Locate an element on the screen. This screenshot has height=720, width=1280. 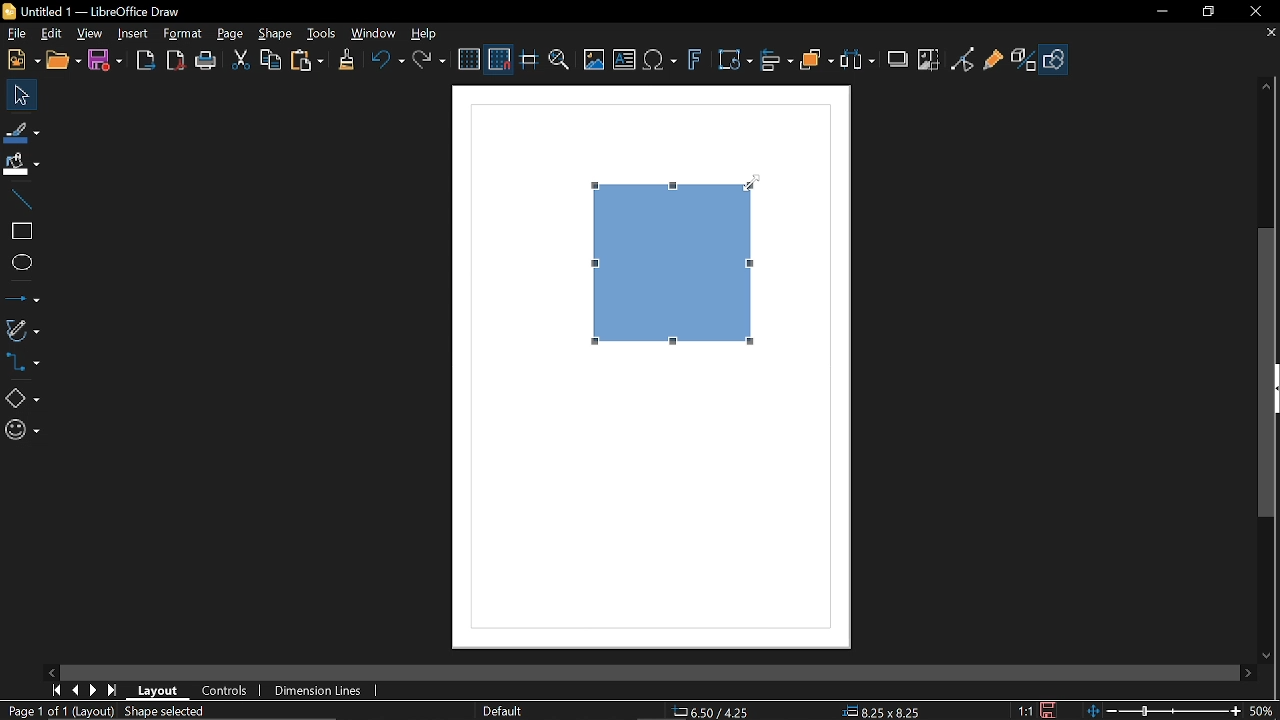
Move down is located at coordinates (1267, 656).